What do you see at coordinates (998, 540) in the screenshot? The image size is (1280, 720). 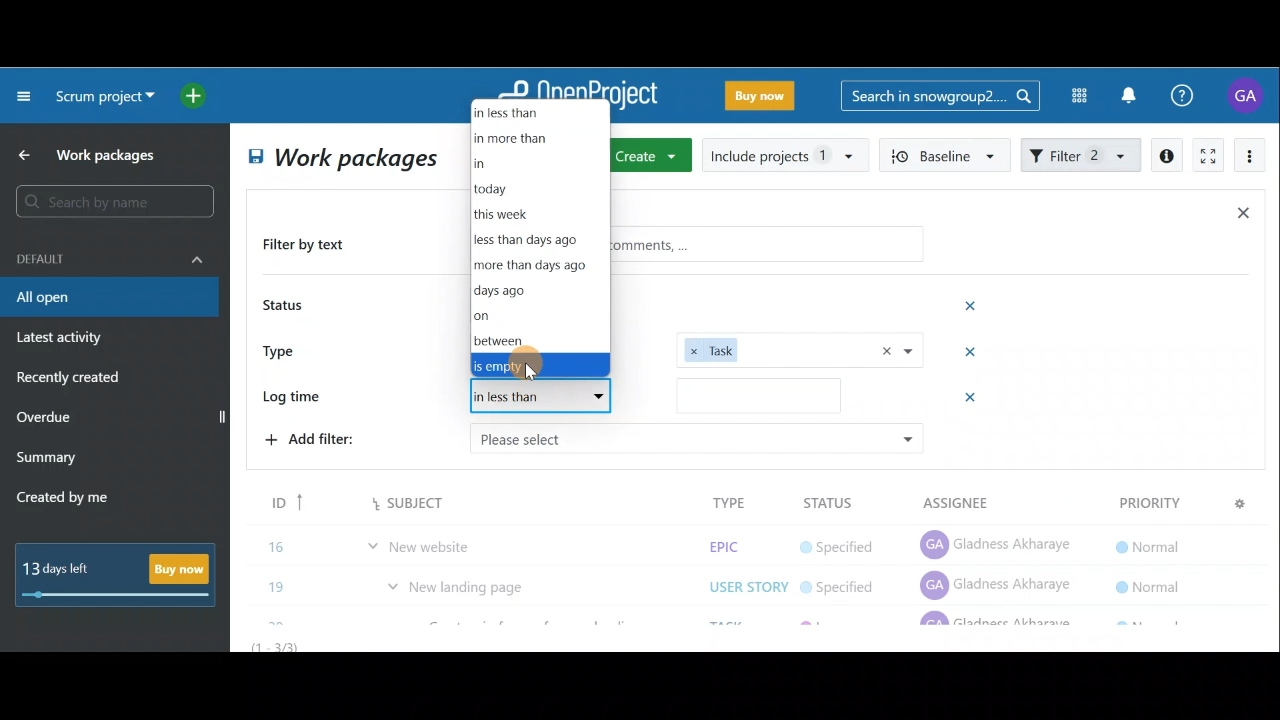 I see `page TASK a(GA) Gladness Akharaye` at bounding box center [998, 540].